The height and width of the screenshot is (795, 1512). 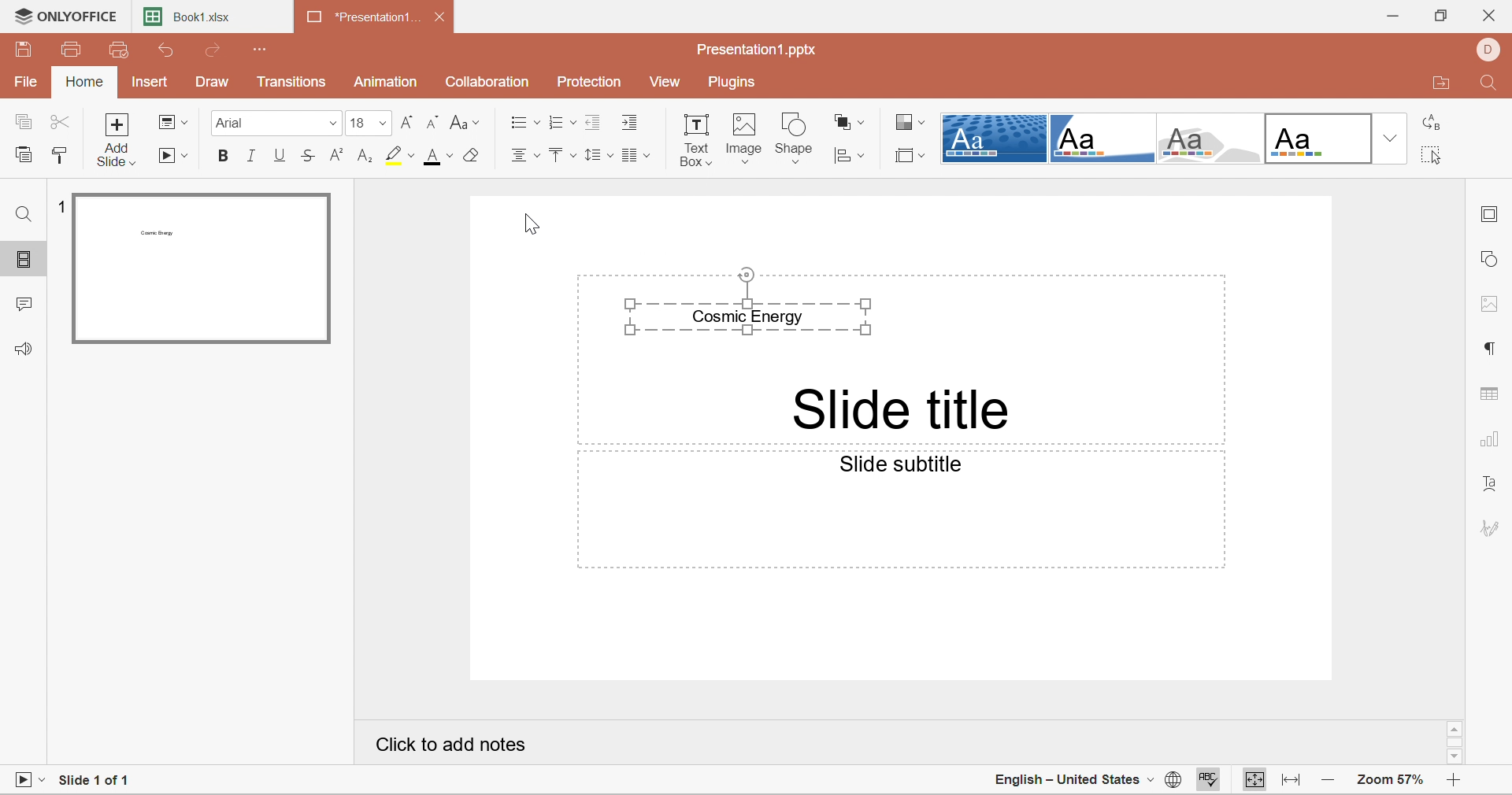 I want to click on Minimize, so click(x=1391, y=17).